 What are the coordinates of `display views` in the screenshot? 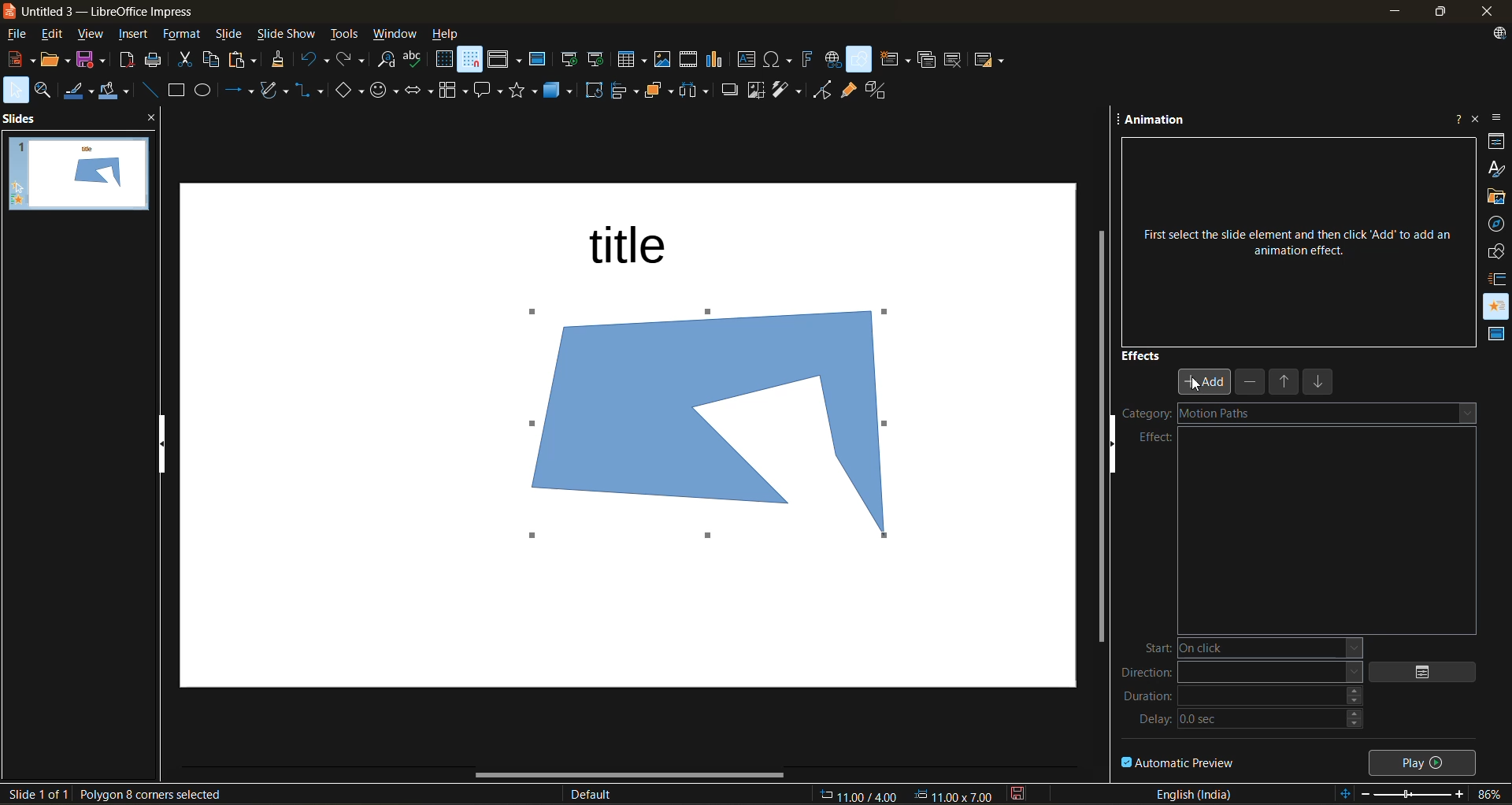 It's located at (503, 61).